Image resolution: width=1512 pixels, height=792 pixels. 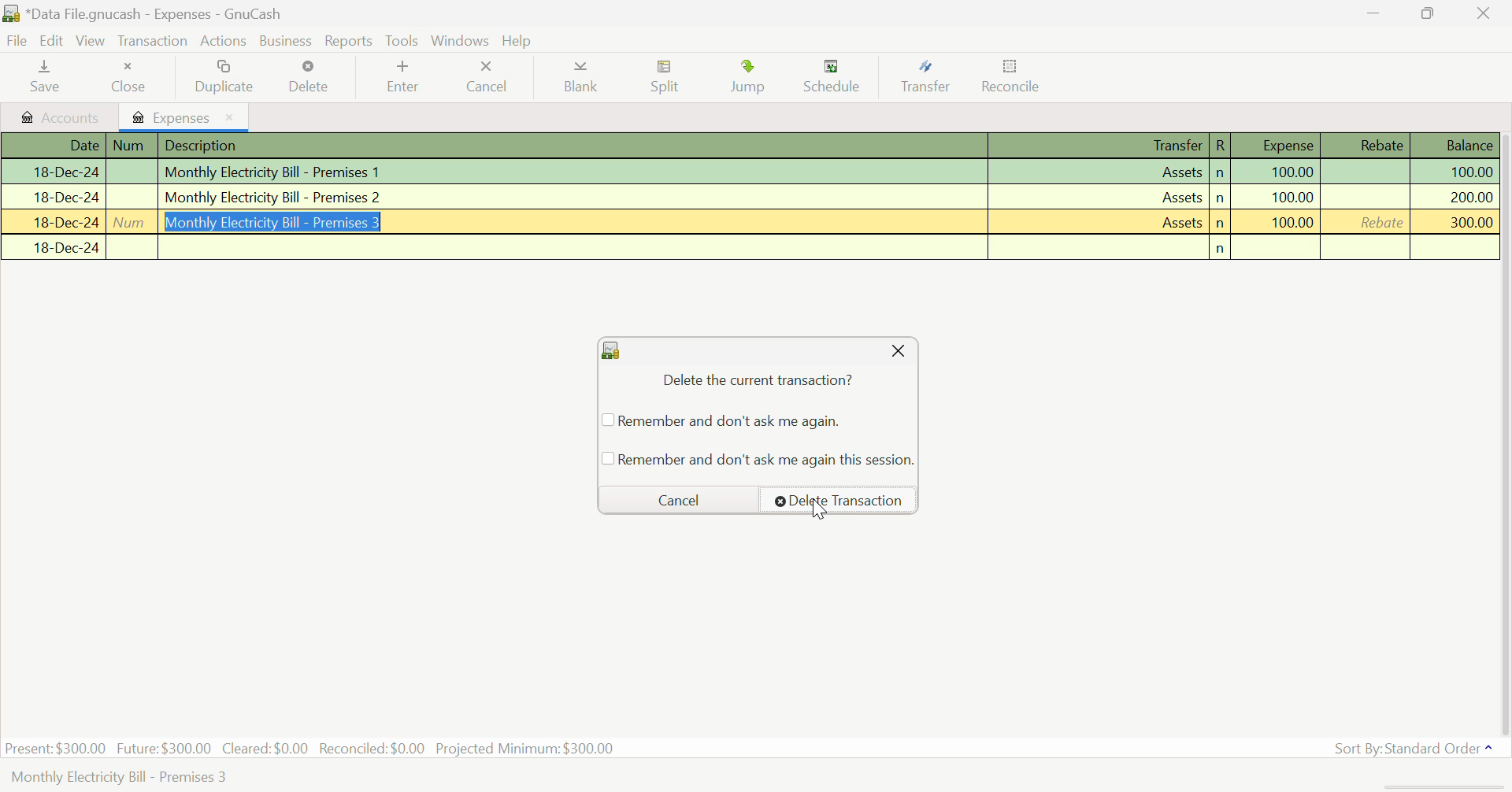 I want to click on Tools, so click(x=403, y=42).